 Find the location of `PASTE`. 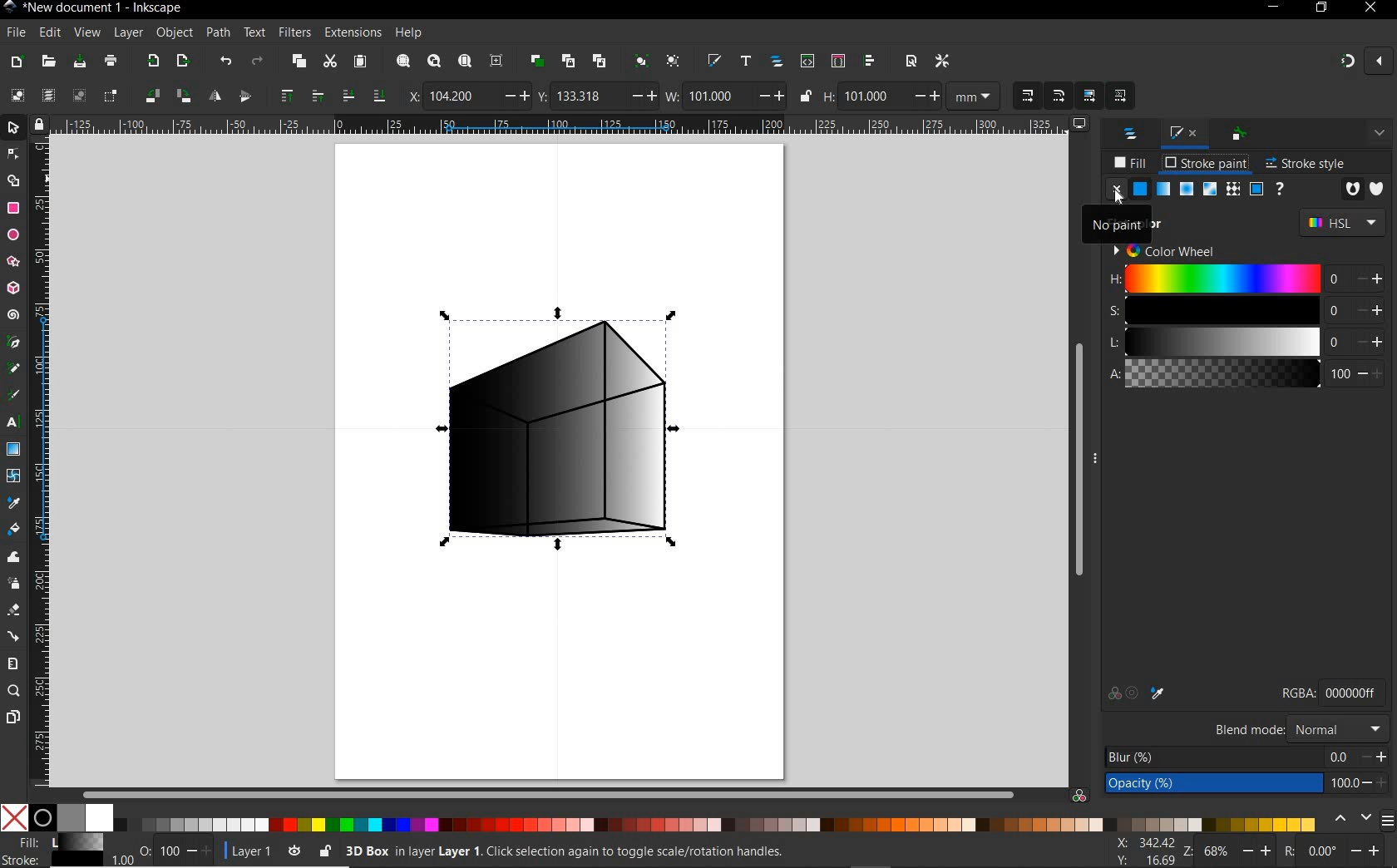

PASTE is located at coordinates (362, 62).